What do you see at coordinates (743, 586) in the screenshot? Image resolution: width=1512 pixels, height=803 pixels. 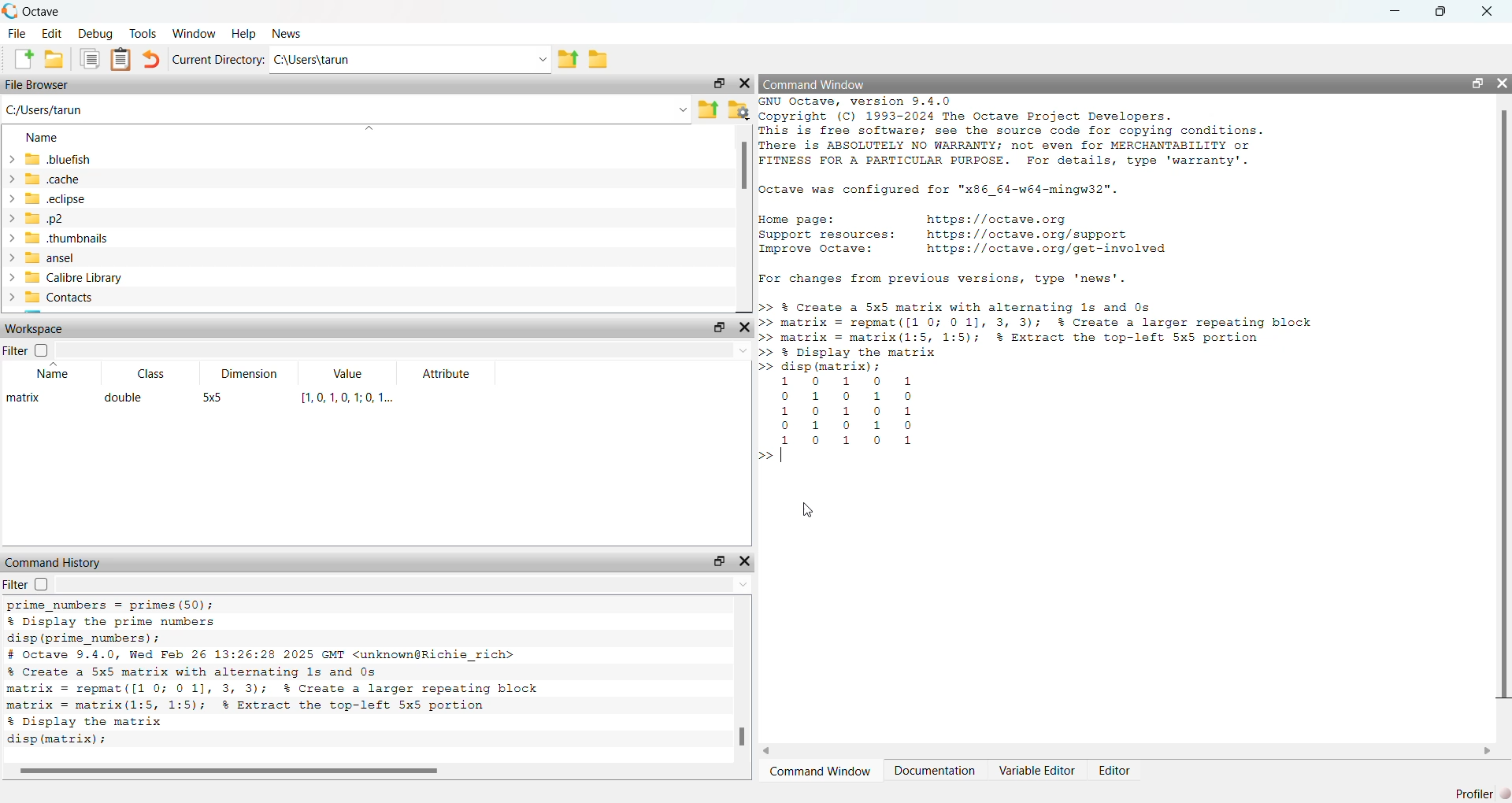 I see `Drop-down ` at bounding box center [743, 586].